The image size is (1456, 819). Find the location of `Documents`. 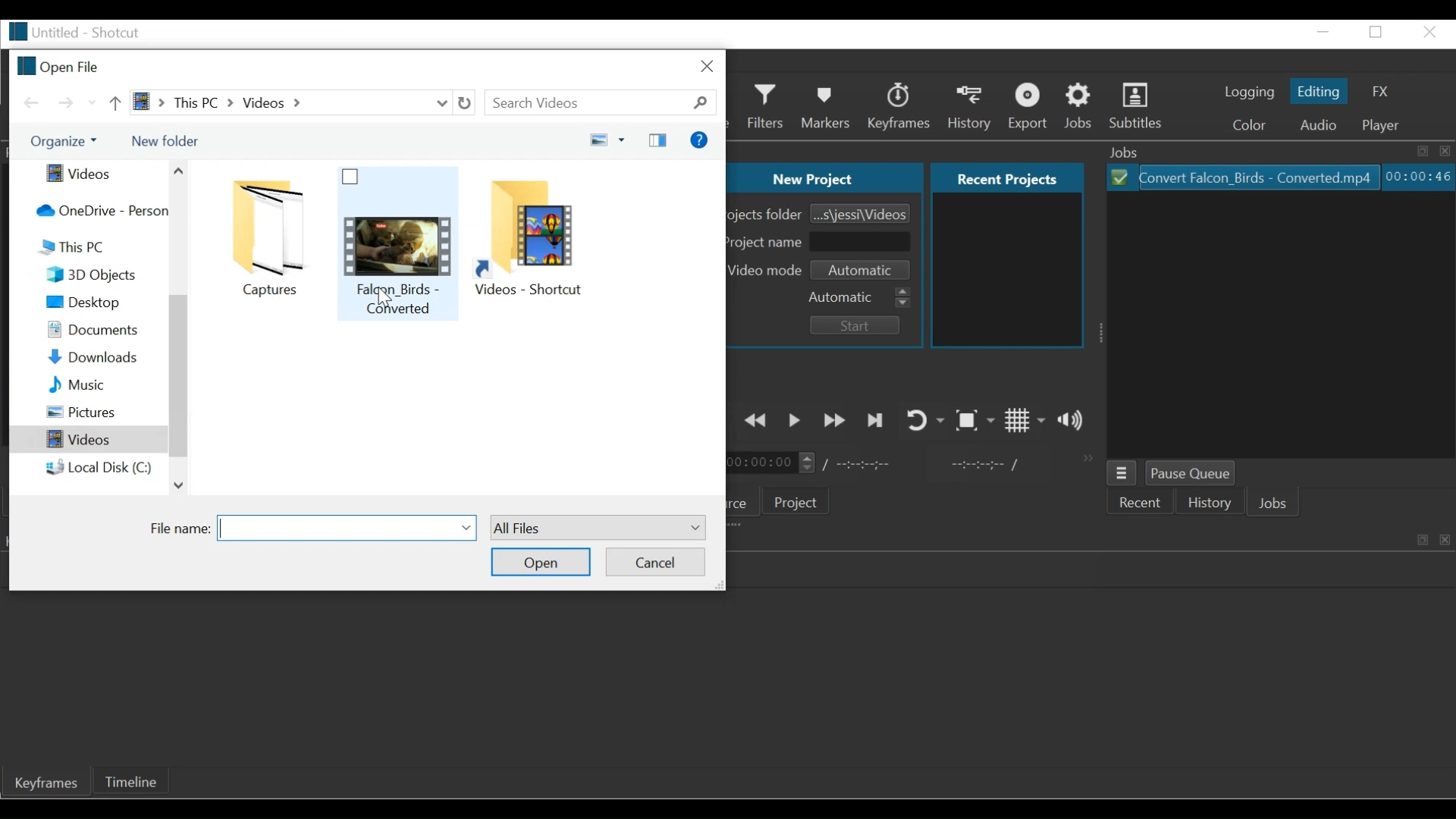

Documents is located at coordinates (101, 329).